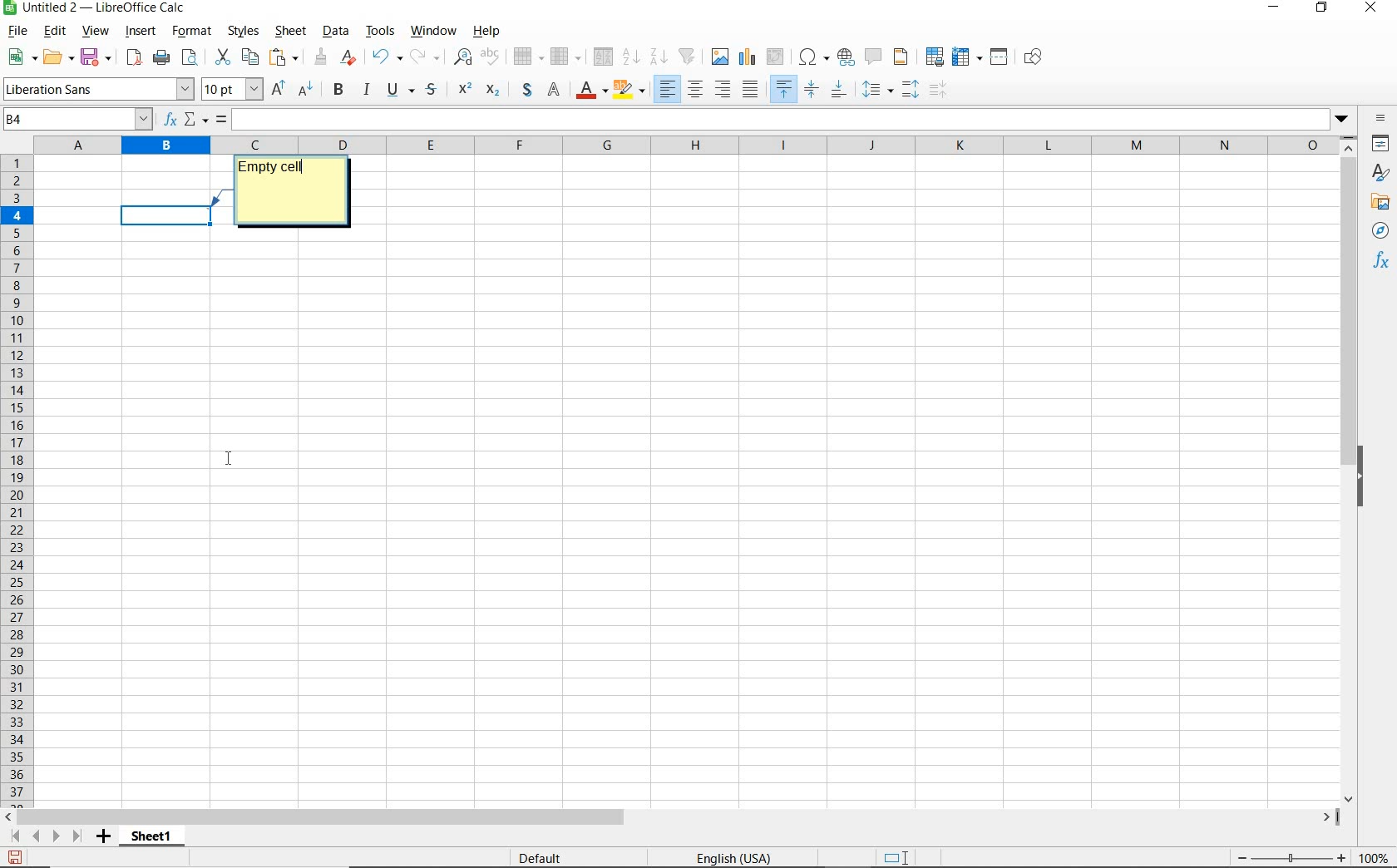 The width and height of the screenshot is (1397, 868). Describe the element at coordinates (386, 57) in the screenshot. I see `undo` at that location.